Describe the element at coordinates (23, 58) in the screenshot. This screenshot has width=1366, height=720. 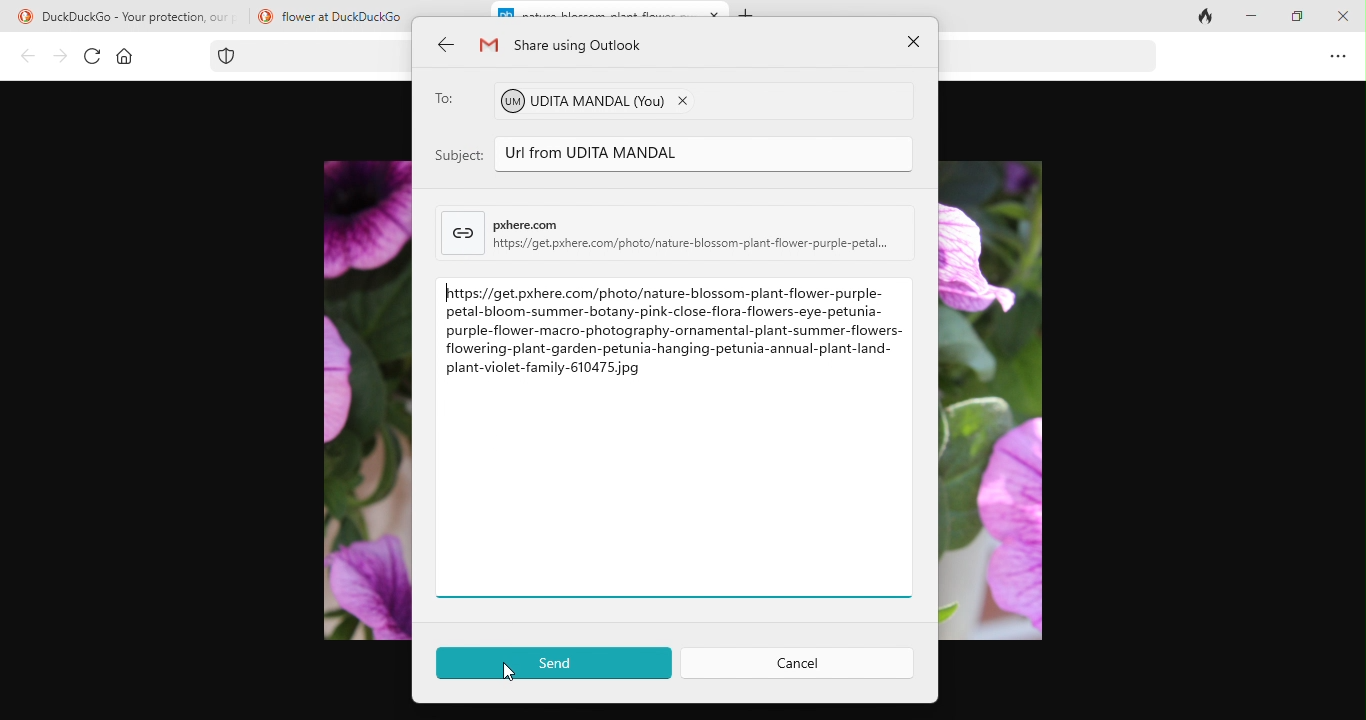
I see `back` at that location.